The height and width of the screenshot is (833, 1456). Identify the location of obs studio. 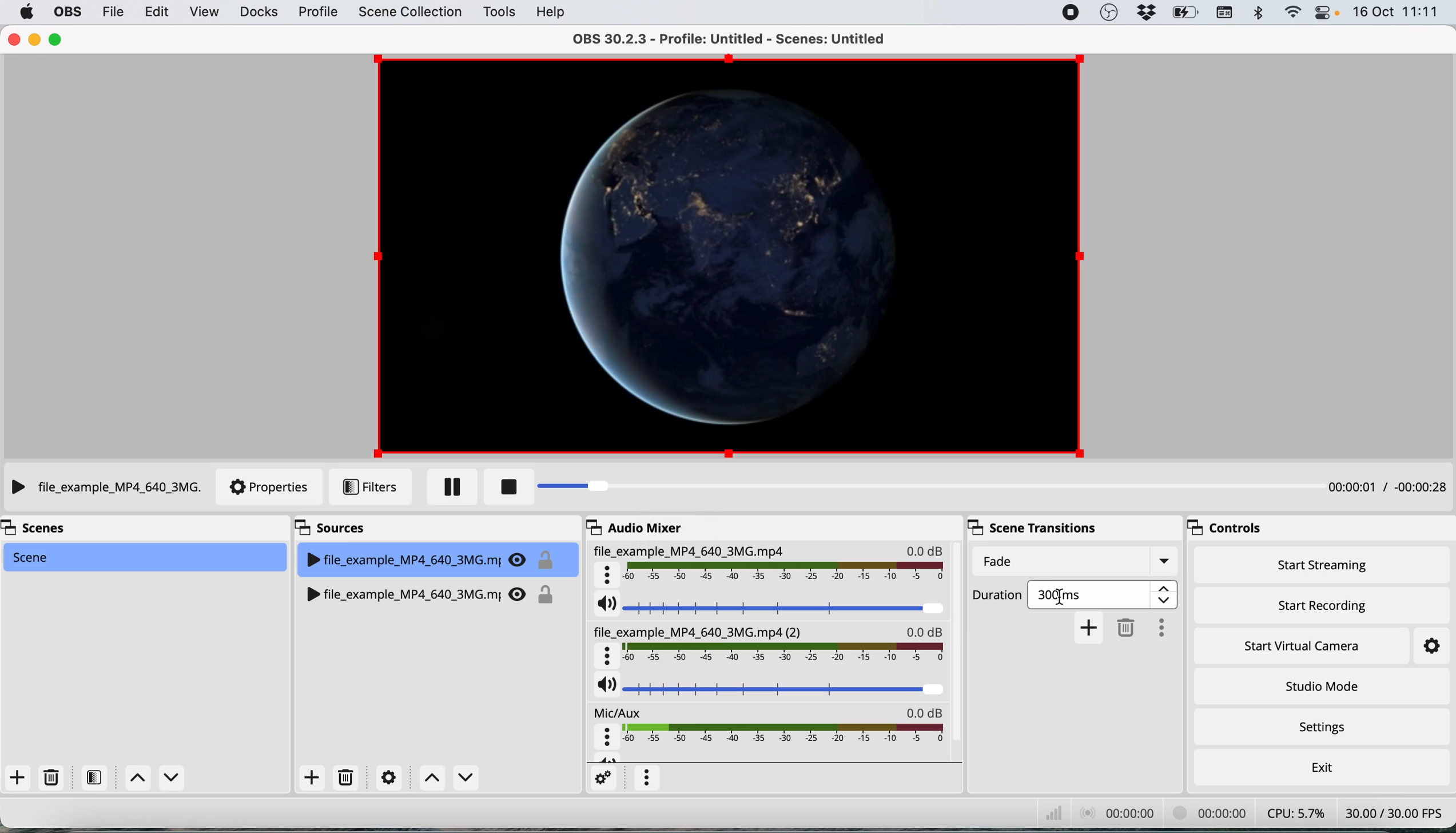
(1109, 12).